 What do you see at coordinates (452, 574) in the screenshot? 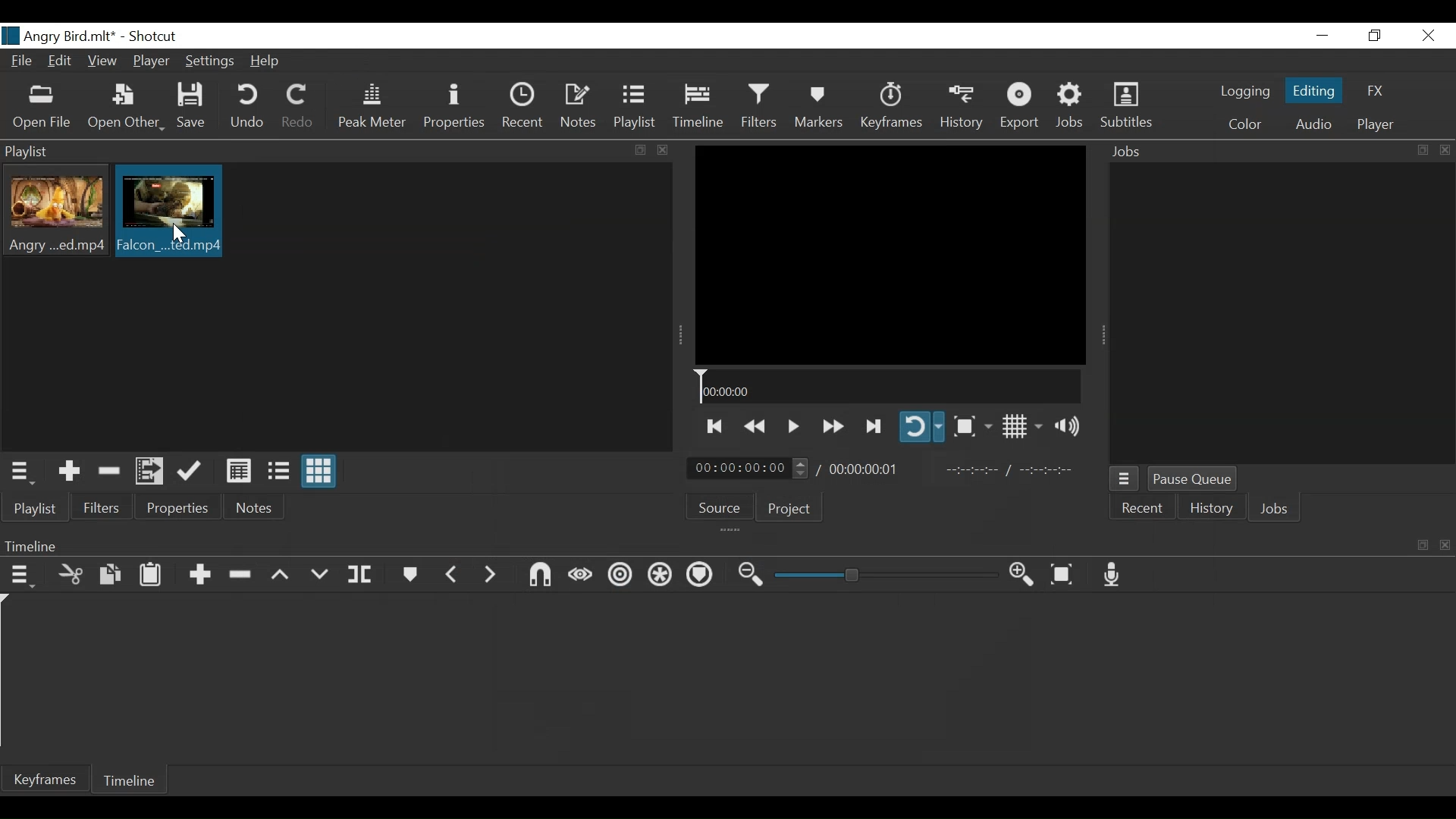
I see `Previous marker` at bounding box center [452, 574].